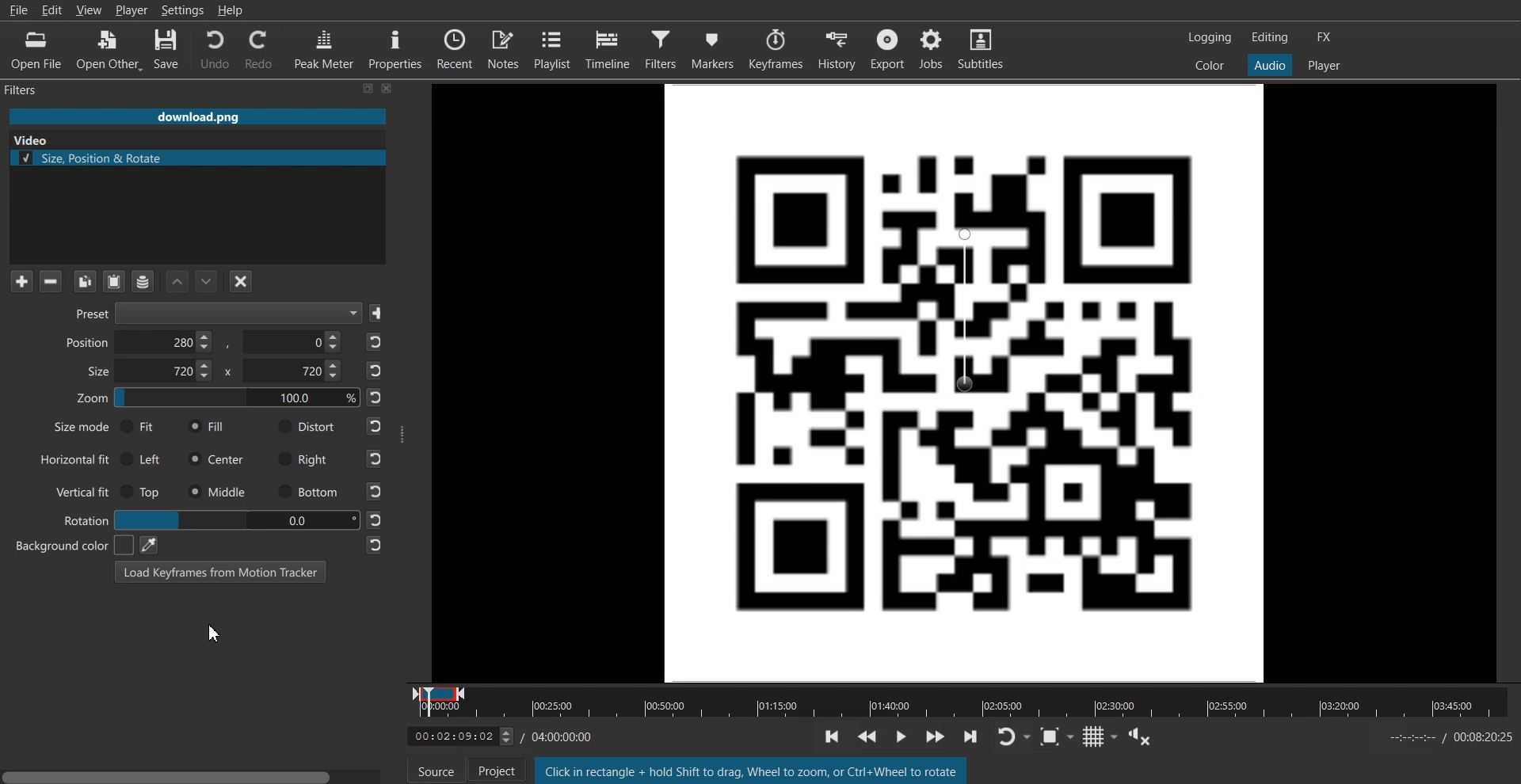 Image resolution: width=1521 pixels, height=784 pixels. What do you see at coordinates (886, 47) in the screenshot?
I see `Export` at bounding box center [886, 47].